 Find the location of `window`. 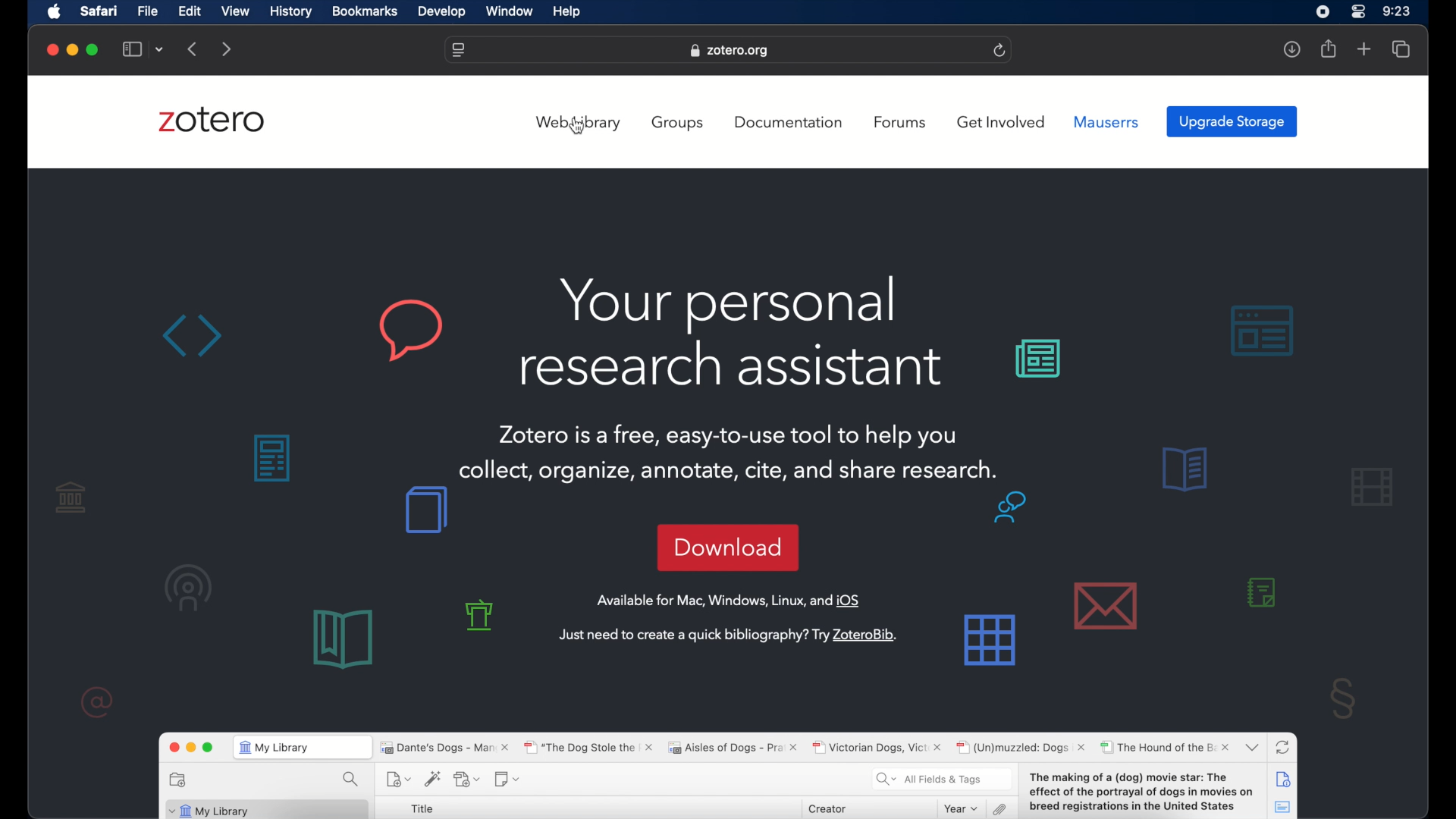

window is located at coordinates (511, 12).